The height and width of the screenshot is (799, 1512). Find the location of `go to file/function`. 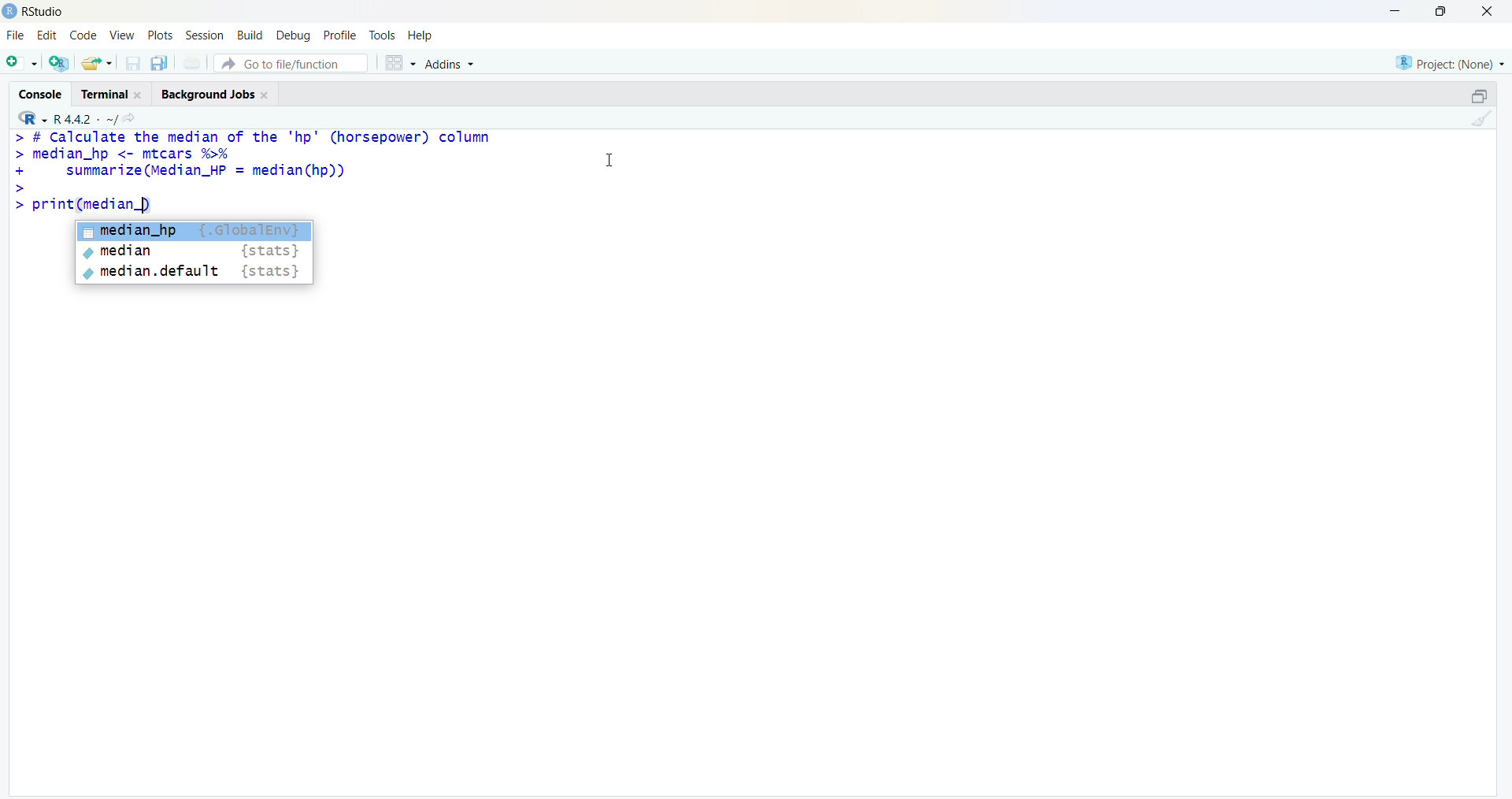

go to file/function is located at coordinates (292, 63).